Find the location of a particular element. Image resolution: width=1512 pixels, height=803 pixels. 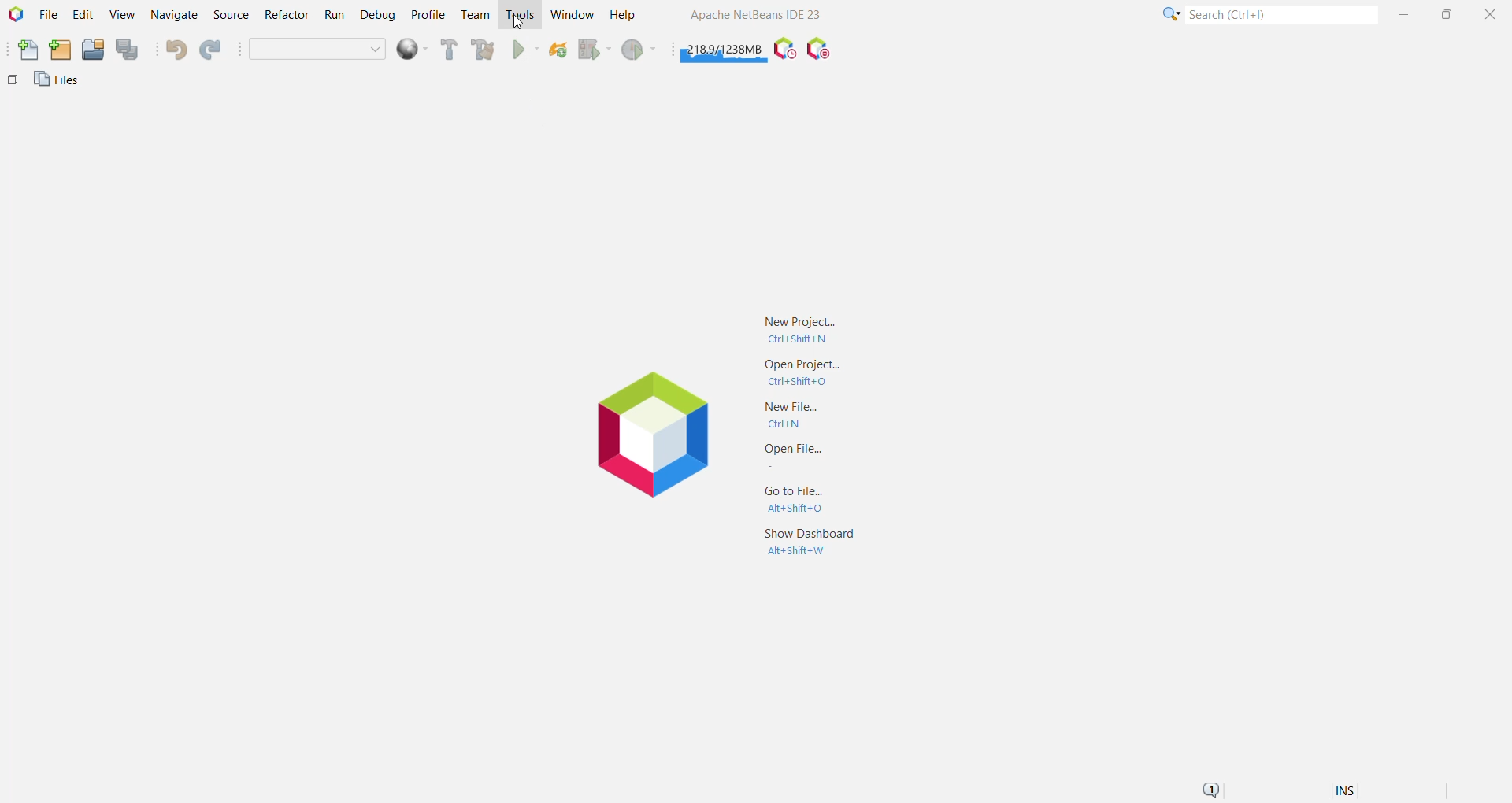

Application Logo is located at coordinates (646, 427).